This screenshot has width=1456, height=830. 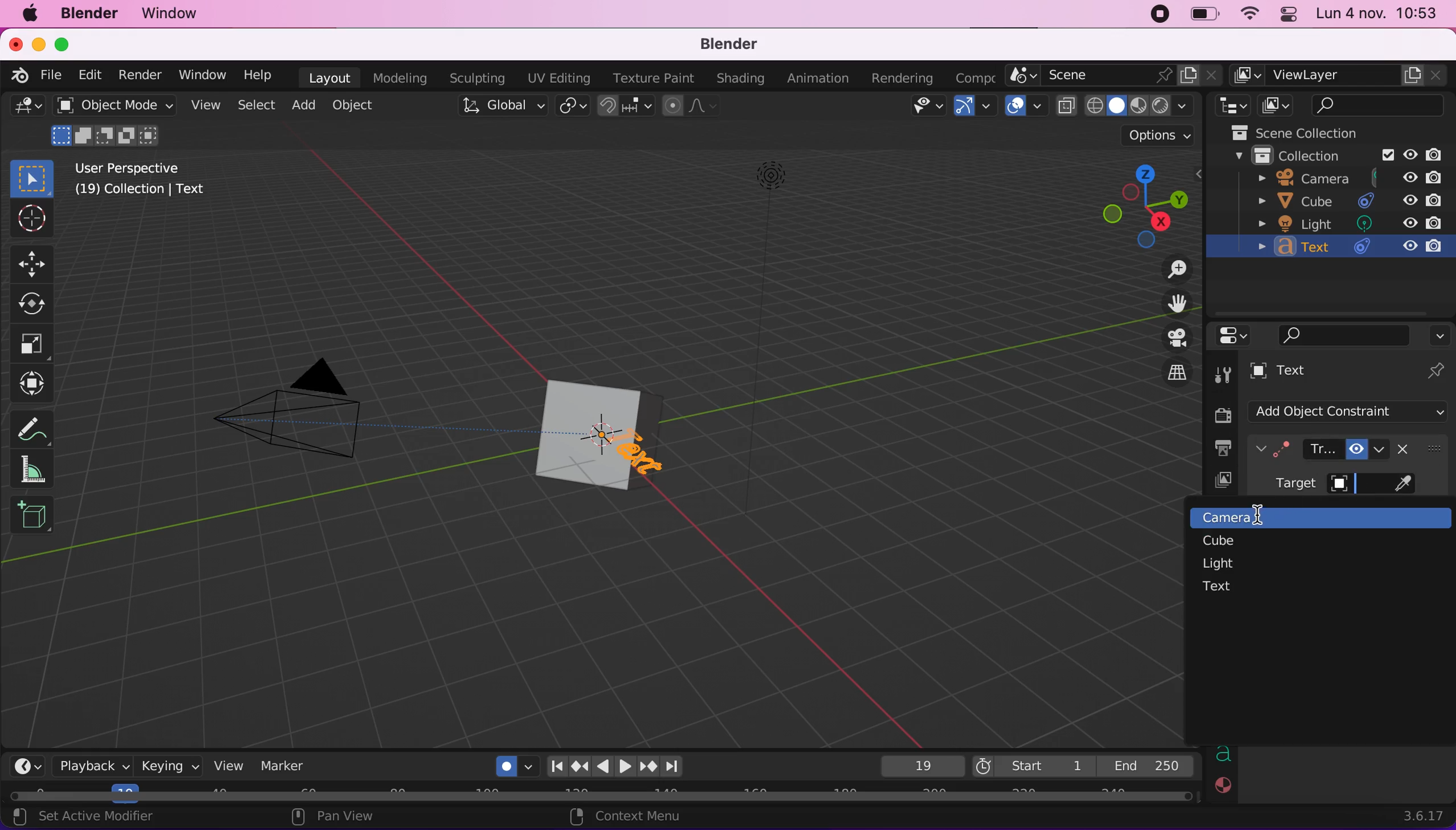 I want to click on render, so click(x=141, y=75).